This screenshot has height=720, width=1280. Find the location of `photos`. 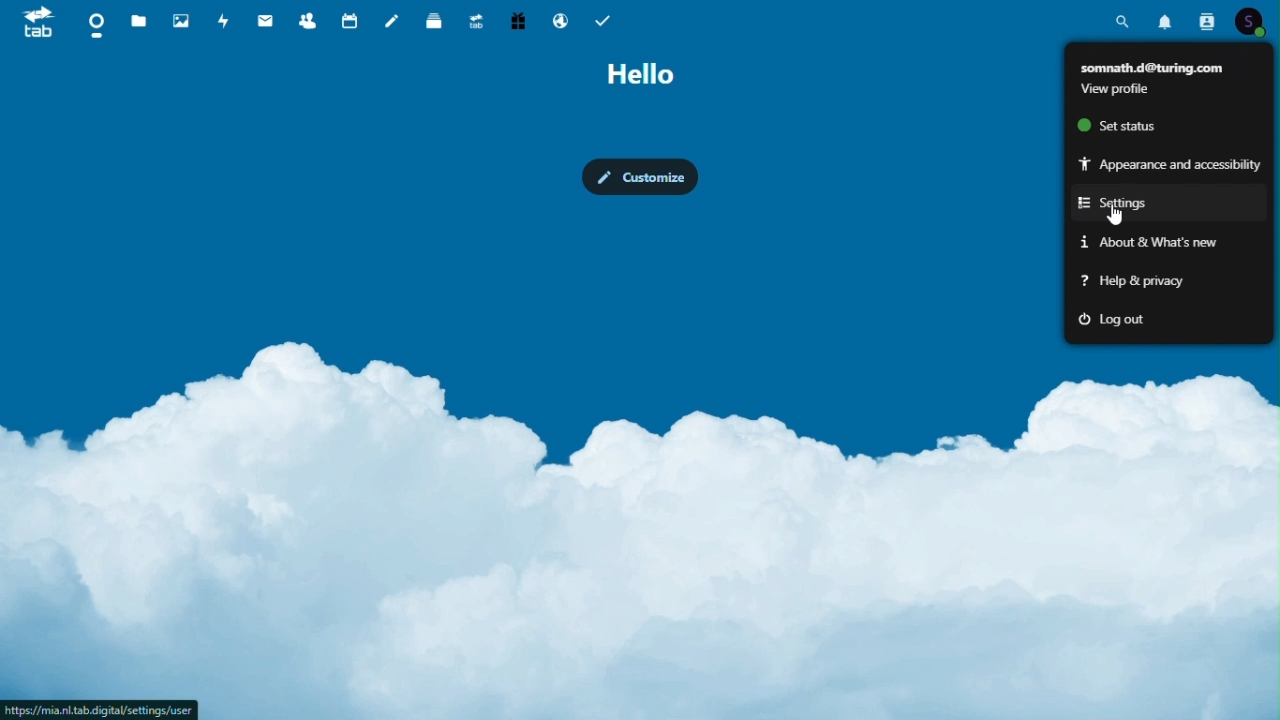

photos is located at coordinates (180, 19).